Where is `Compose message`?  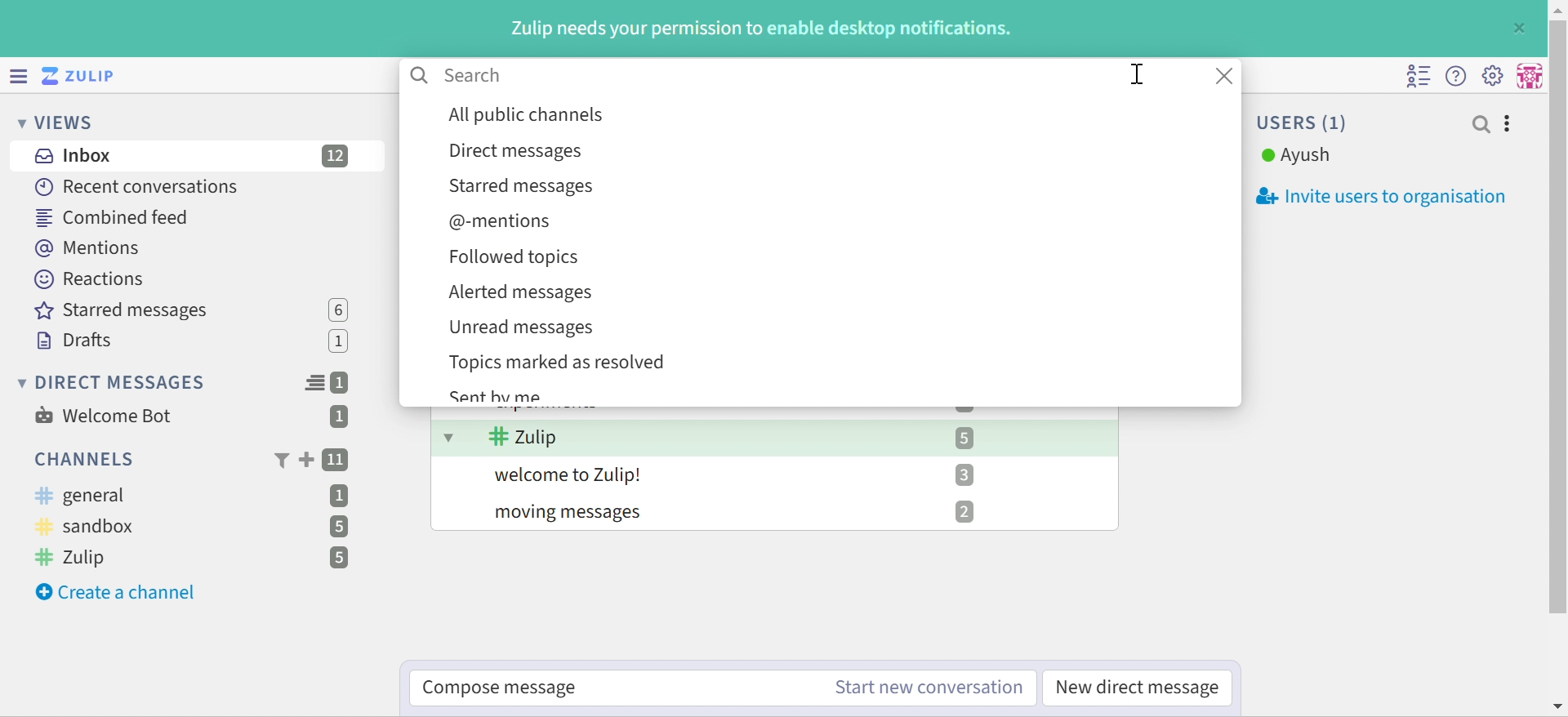
Compose message is located at coordinates (503, 688).